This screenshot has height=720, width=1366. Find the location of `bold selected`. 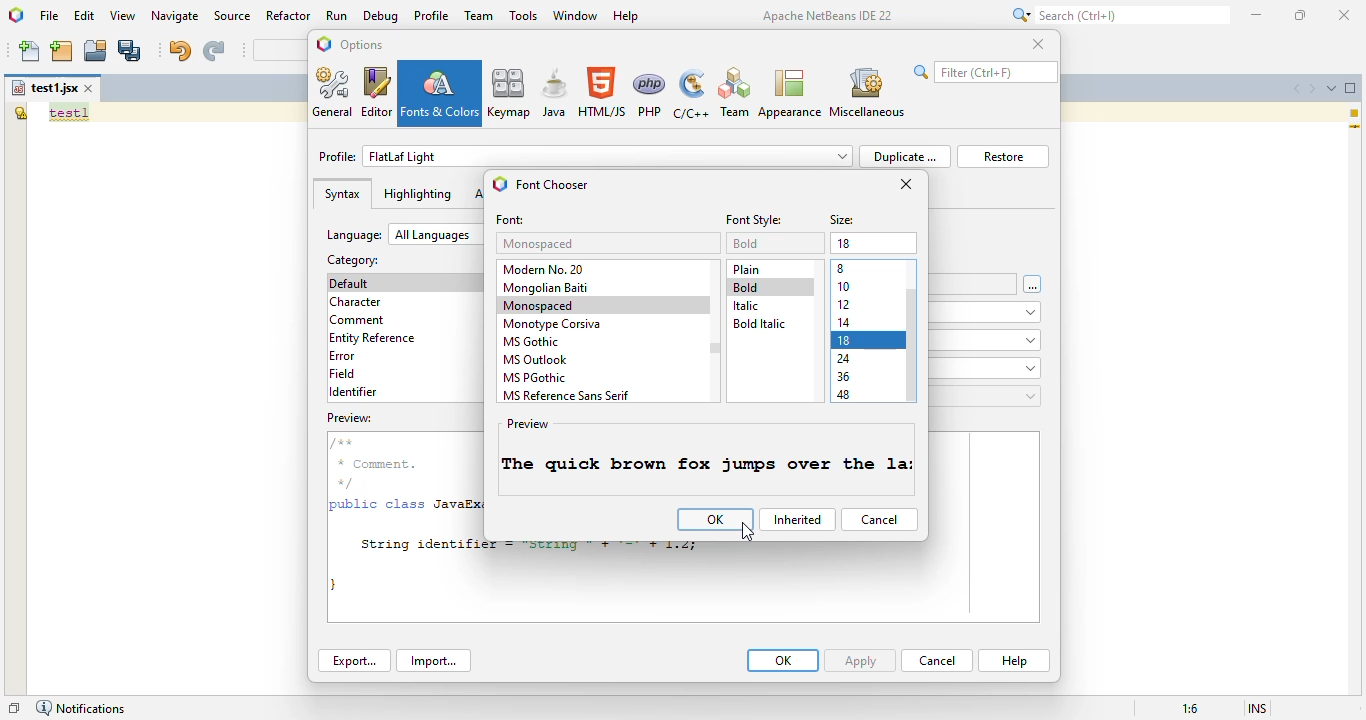

bold selected is located at coordinates (772, 287).